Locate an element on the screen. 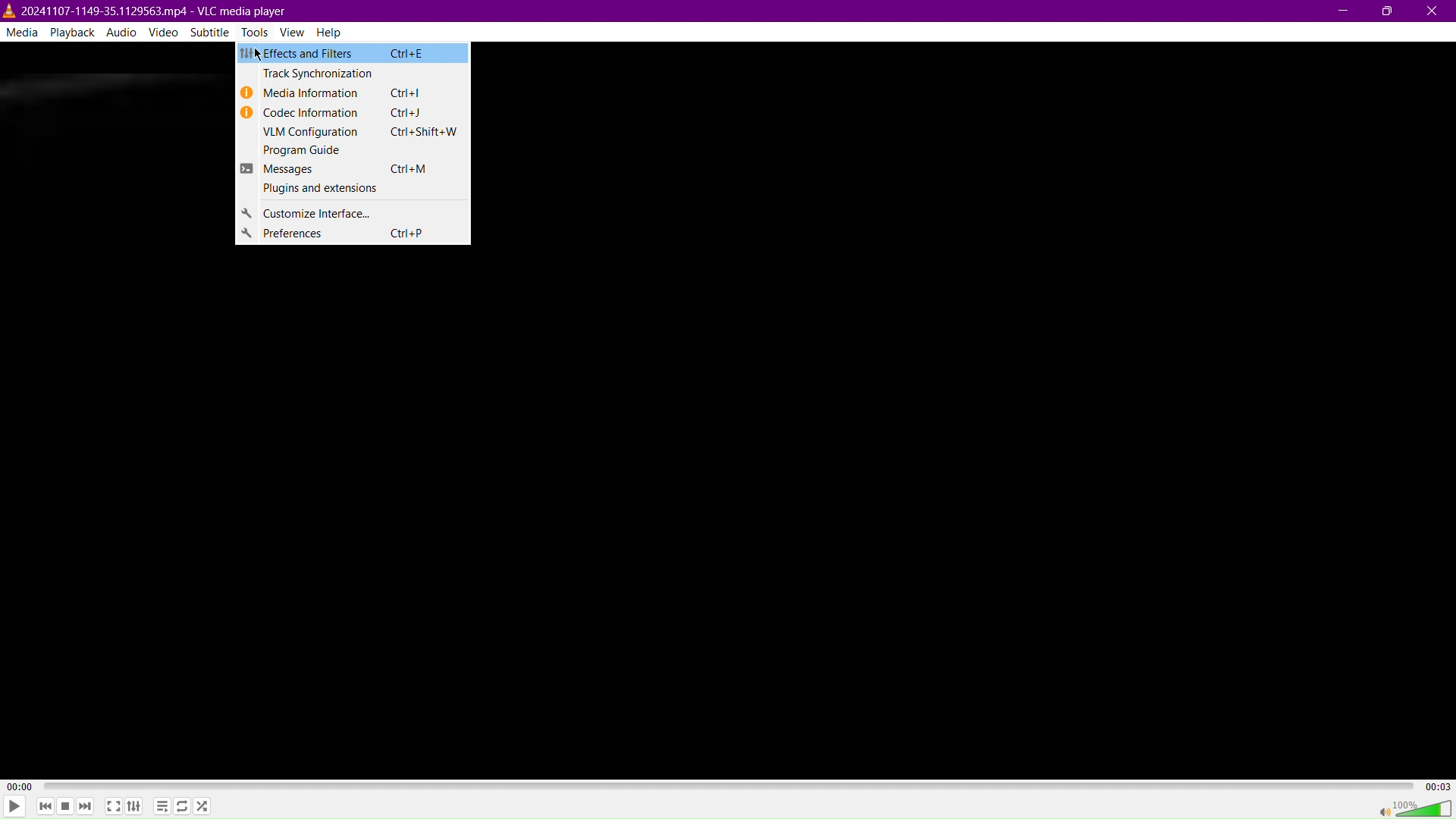 The height and width of the screenshot is (819, 1456). Skip Forward is located at coordinates (86, 808).